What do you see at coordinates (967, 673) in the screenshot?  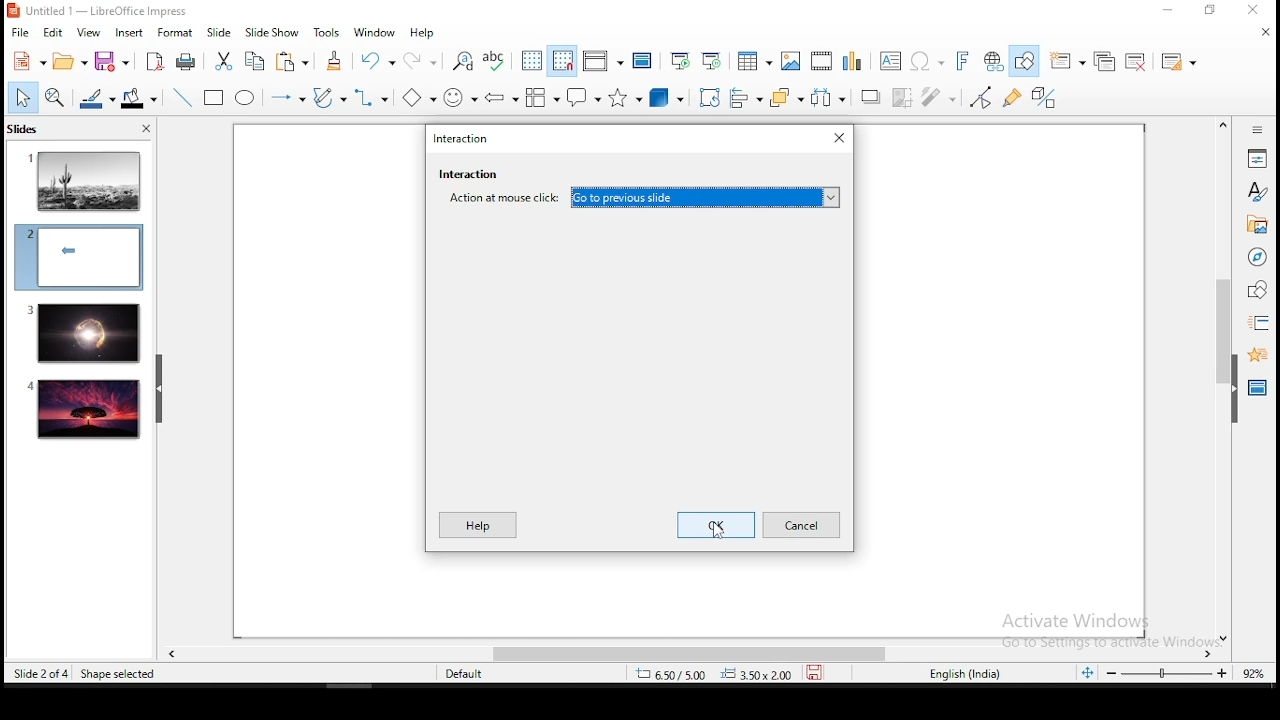 I see `english (india)` at bounding box center [967, 673].